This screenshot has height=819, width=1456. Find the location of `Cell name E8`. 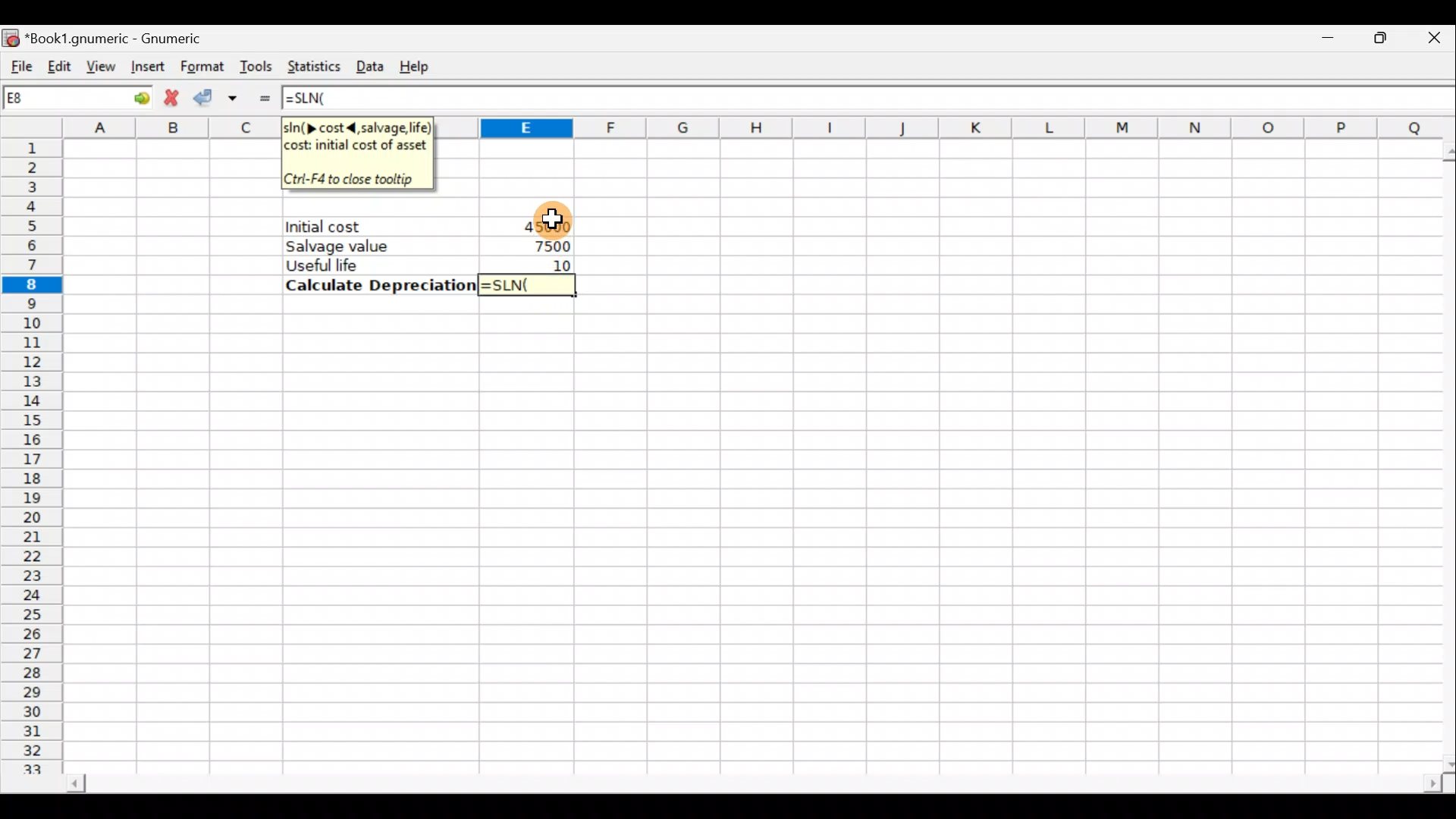

Cell name E8 is located at coordinates (51, 101).